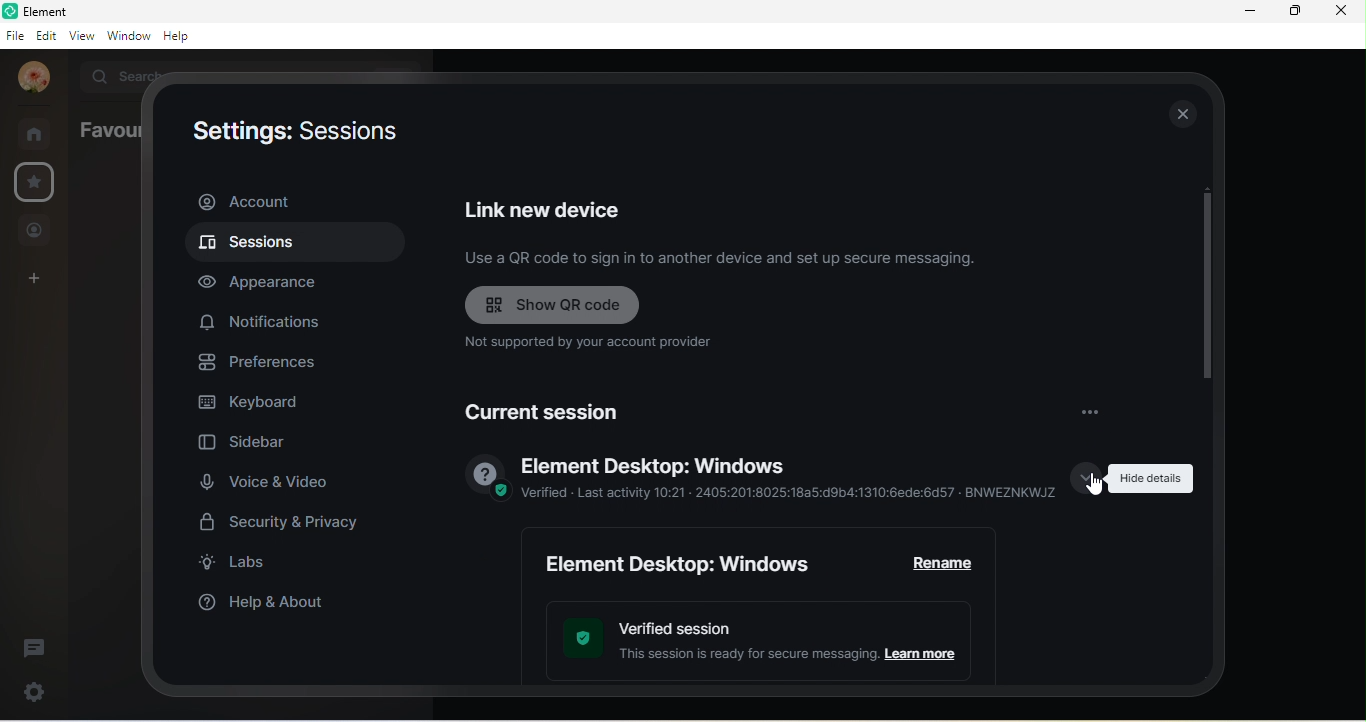 The height and width of the screenshot is (722, 1366). Describe the element at coordinates (37, 181) in the screenshot. I see `settings` at that location.